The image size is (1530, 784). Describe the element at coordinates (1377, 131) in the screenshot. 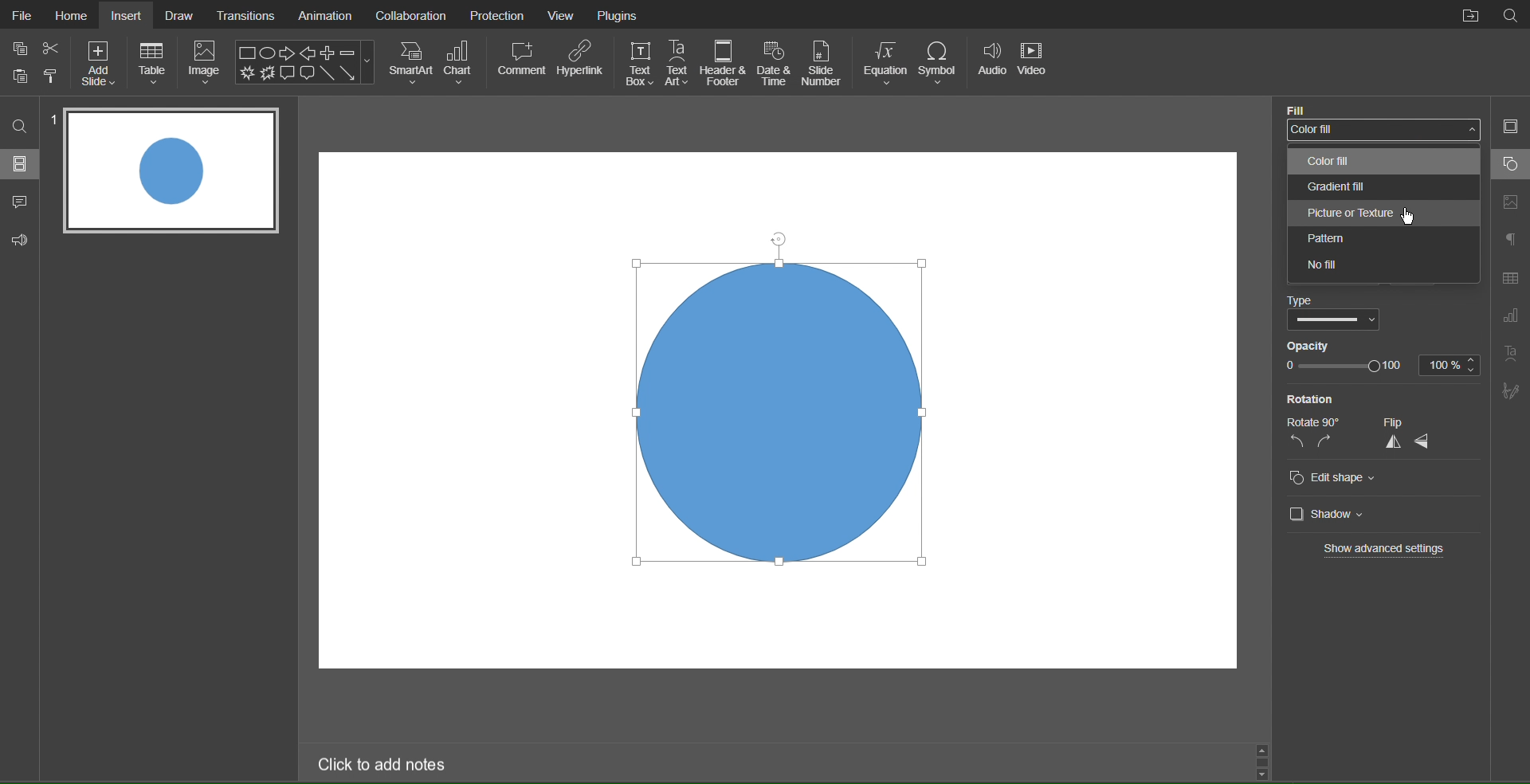

I see `color fill` at that location.